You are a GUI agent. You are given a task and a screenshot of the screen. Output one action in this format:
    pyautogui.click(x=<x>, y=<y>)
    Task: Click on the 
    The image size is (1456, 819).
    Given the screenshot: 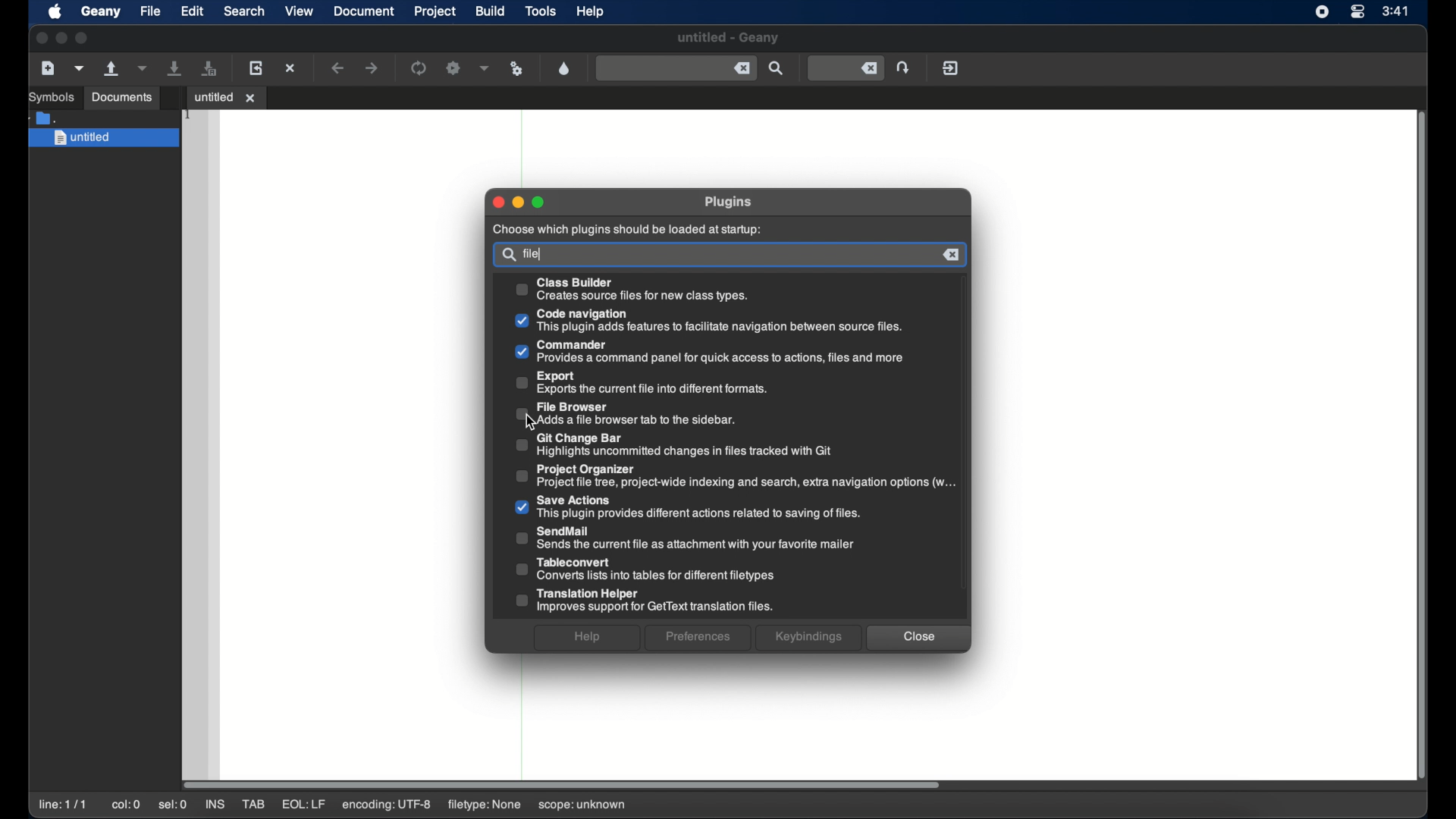 What is the action you would take?
    pyautogui.click(x=588, y=639)
    